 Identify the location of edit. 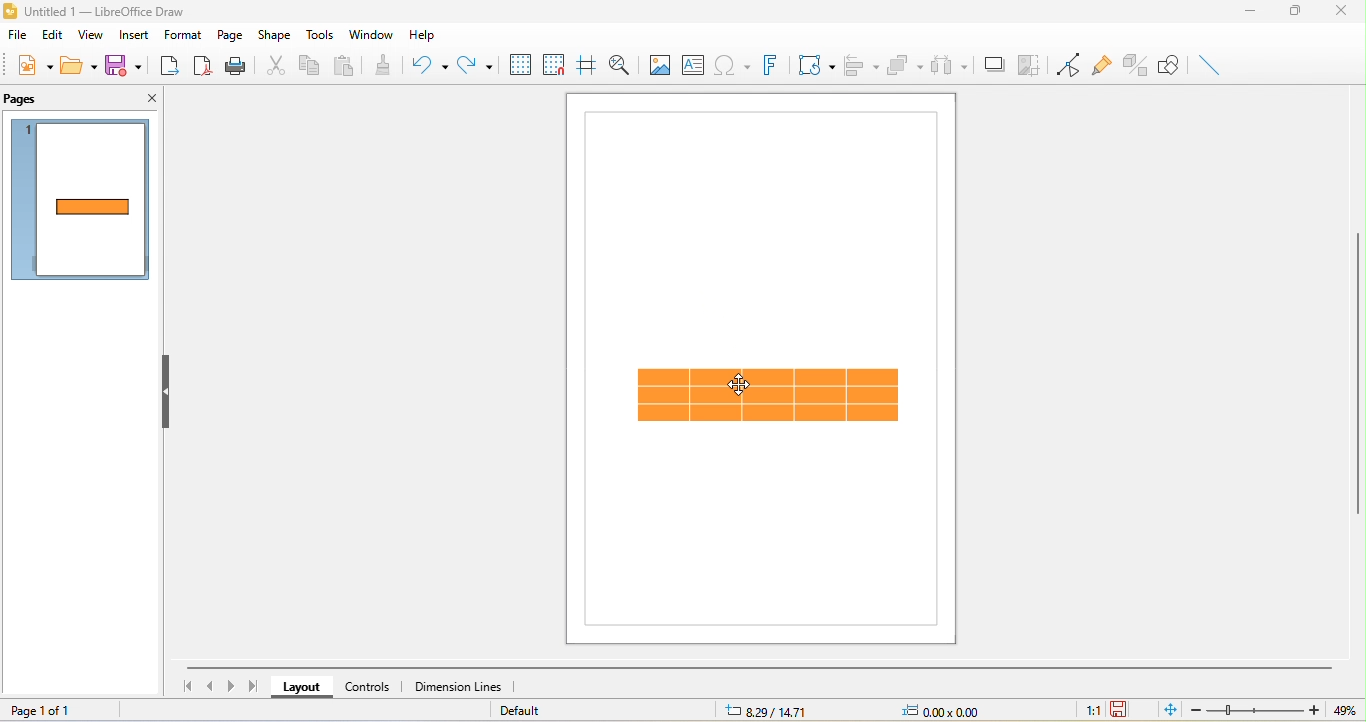
(51, 34).